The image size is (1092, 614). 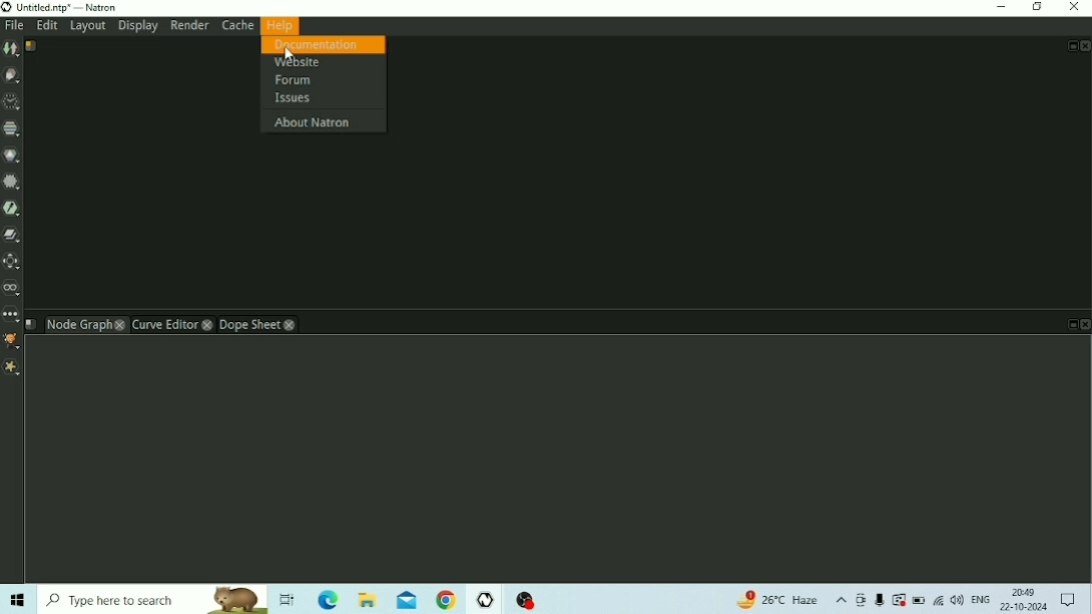 What do you see at coordinates (10, 49) in the screenshot?
I see `Image` at bounding box center [10, 49].